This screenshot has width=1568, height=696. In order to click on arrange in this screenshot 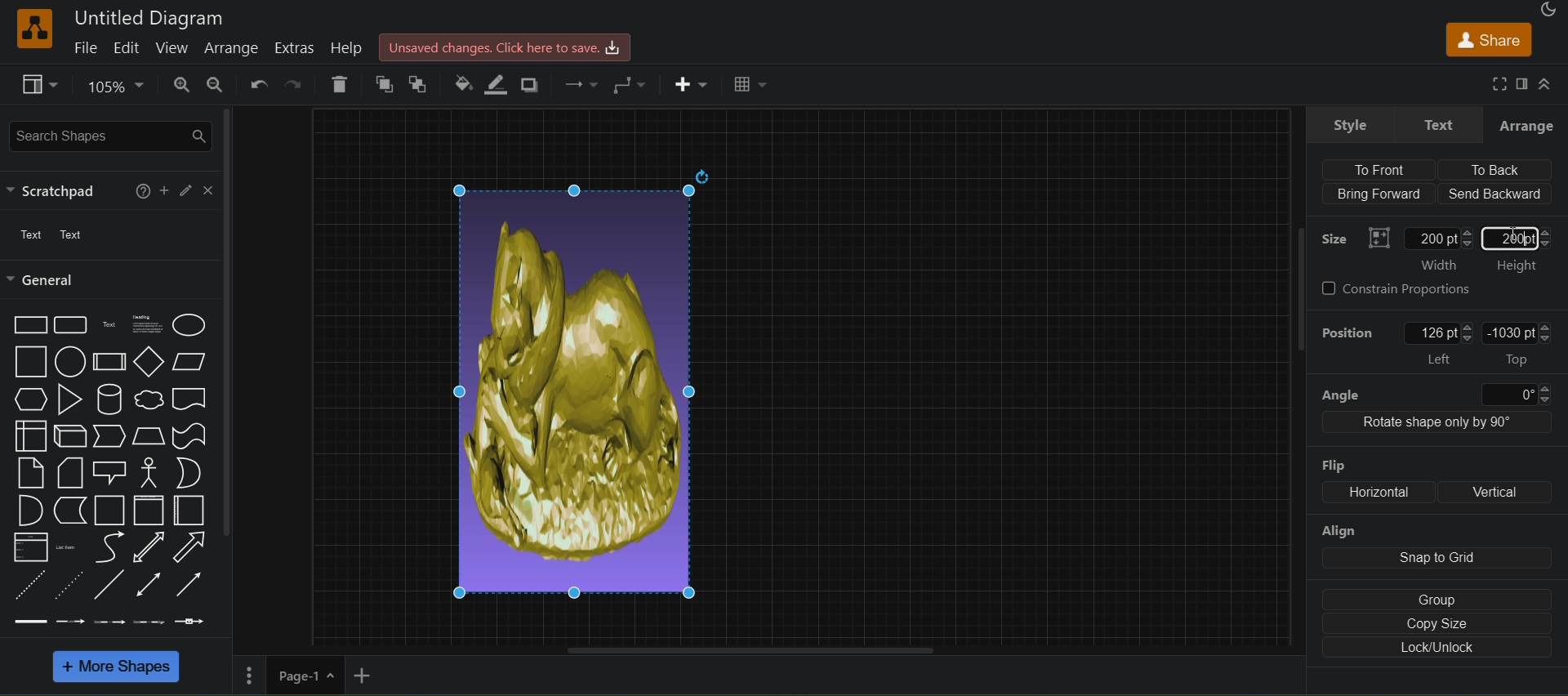, I will do `click(233, 49)`.